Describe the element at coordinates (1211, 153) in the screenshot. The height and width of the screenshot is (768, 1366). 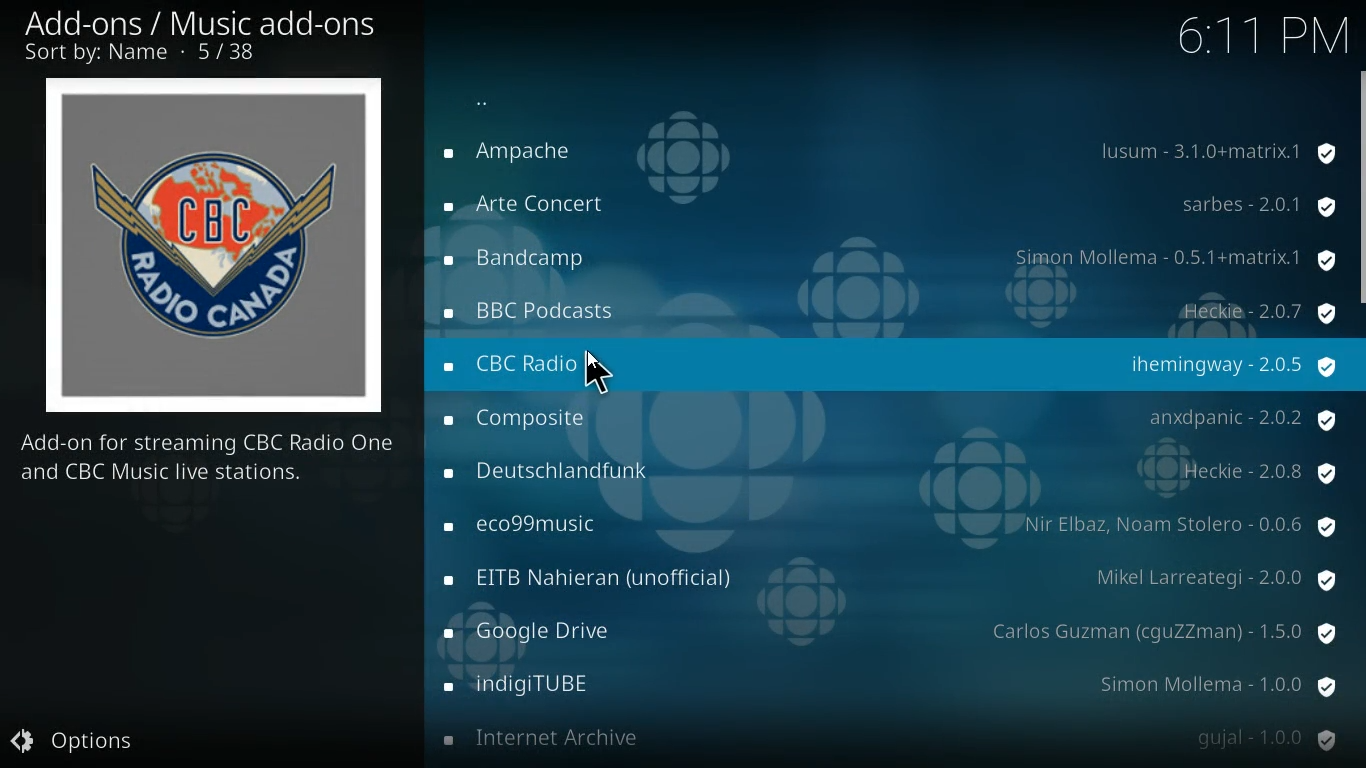
I see `protection` at that location.